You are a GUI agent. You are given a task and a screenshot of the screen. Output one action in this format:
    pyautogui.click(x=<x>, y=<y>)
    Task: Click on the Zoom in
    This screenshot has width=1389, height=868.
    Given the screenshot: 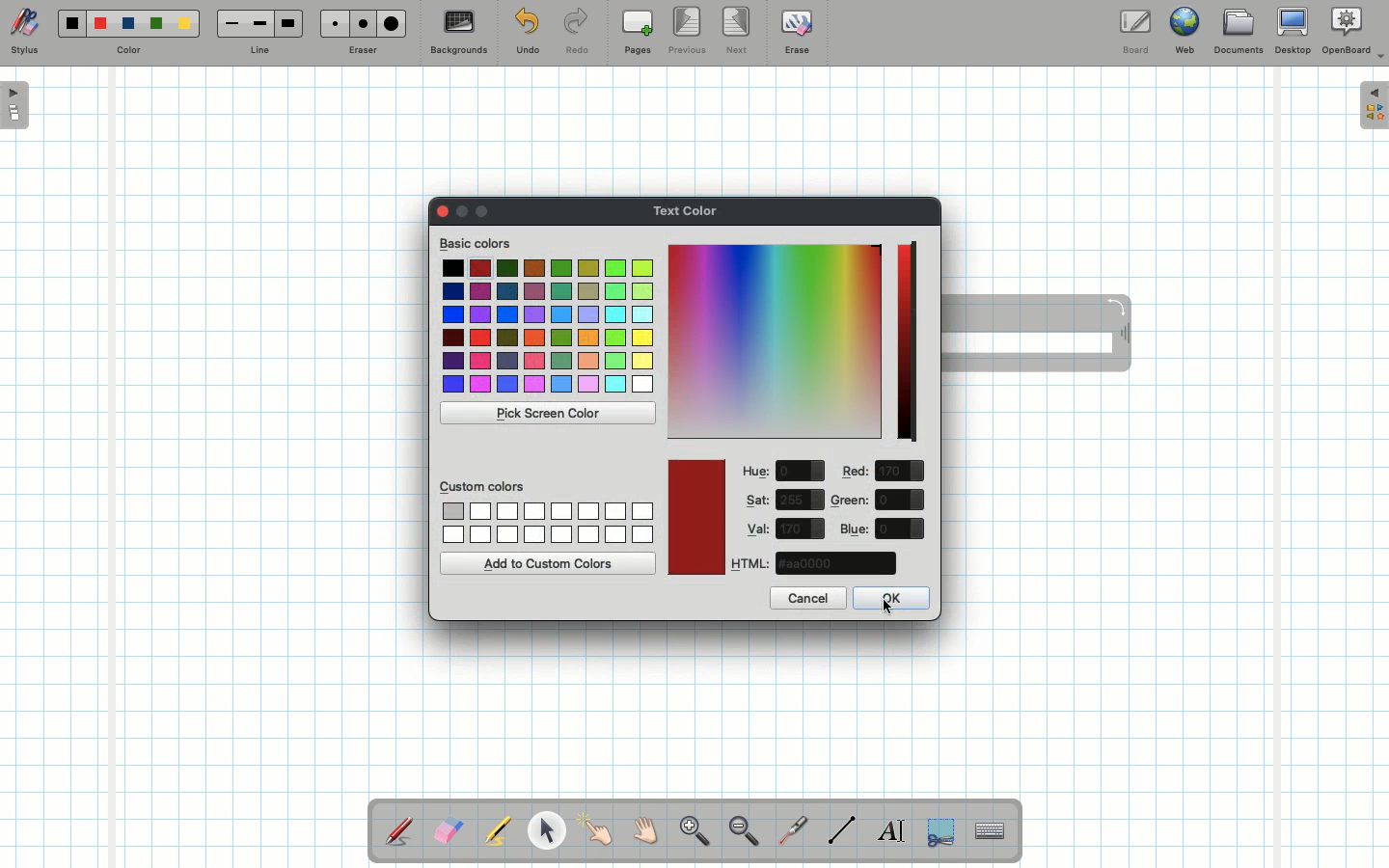 What is the action you would take?
    pyautogui.click(x=690, y=833)
    